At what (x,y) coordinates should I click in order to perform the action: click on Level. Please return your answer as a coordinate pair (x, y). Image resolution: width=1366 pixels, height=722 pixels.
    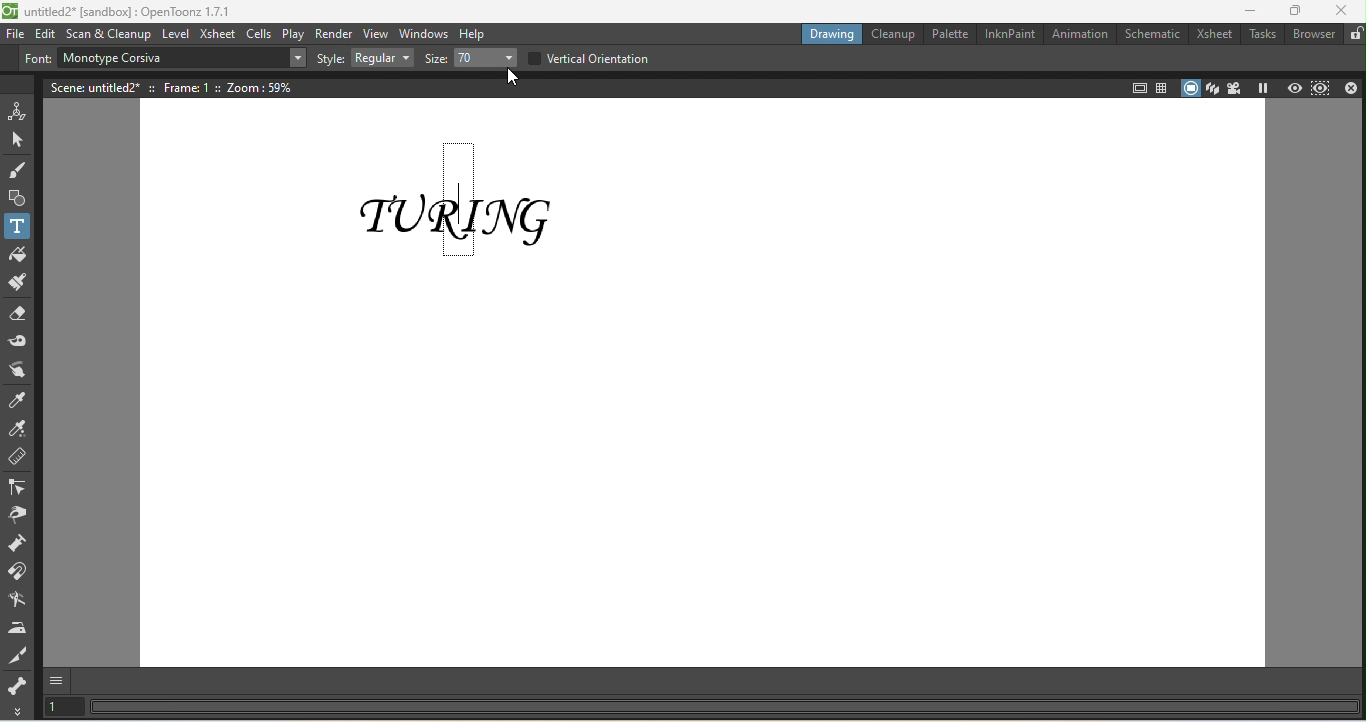
    Looking at the image, I should click on (177, 35).